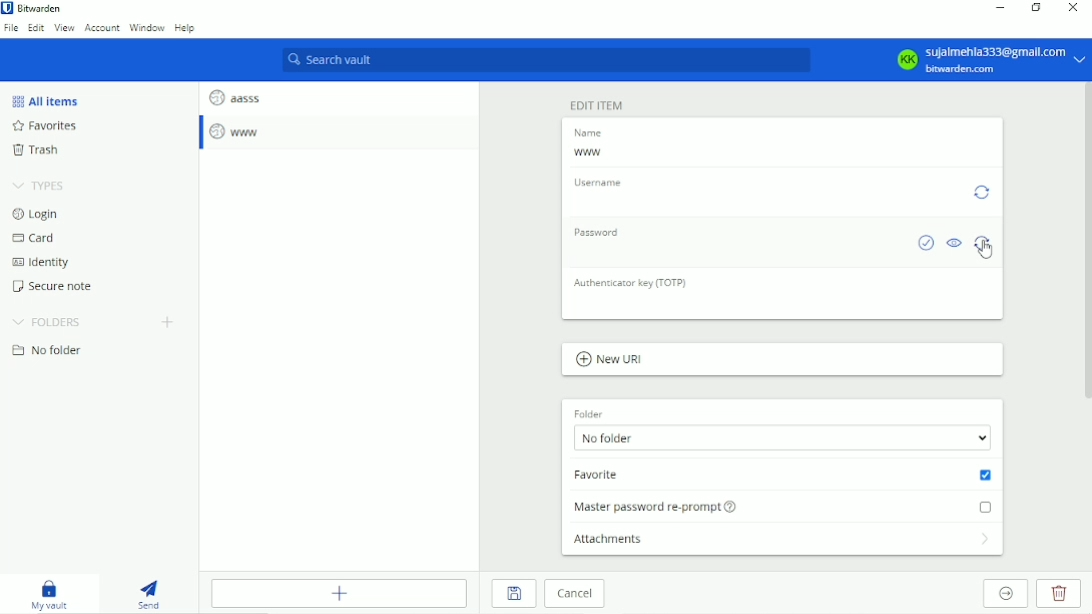 The height and width of the screenshot is (614, 1092). What do you see at coordinates (152, 594) in the screenshot?
I see `Send` at bounding box center [152, 594].